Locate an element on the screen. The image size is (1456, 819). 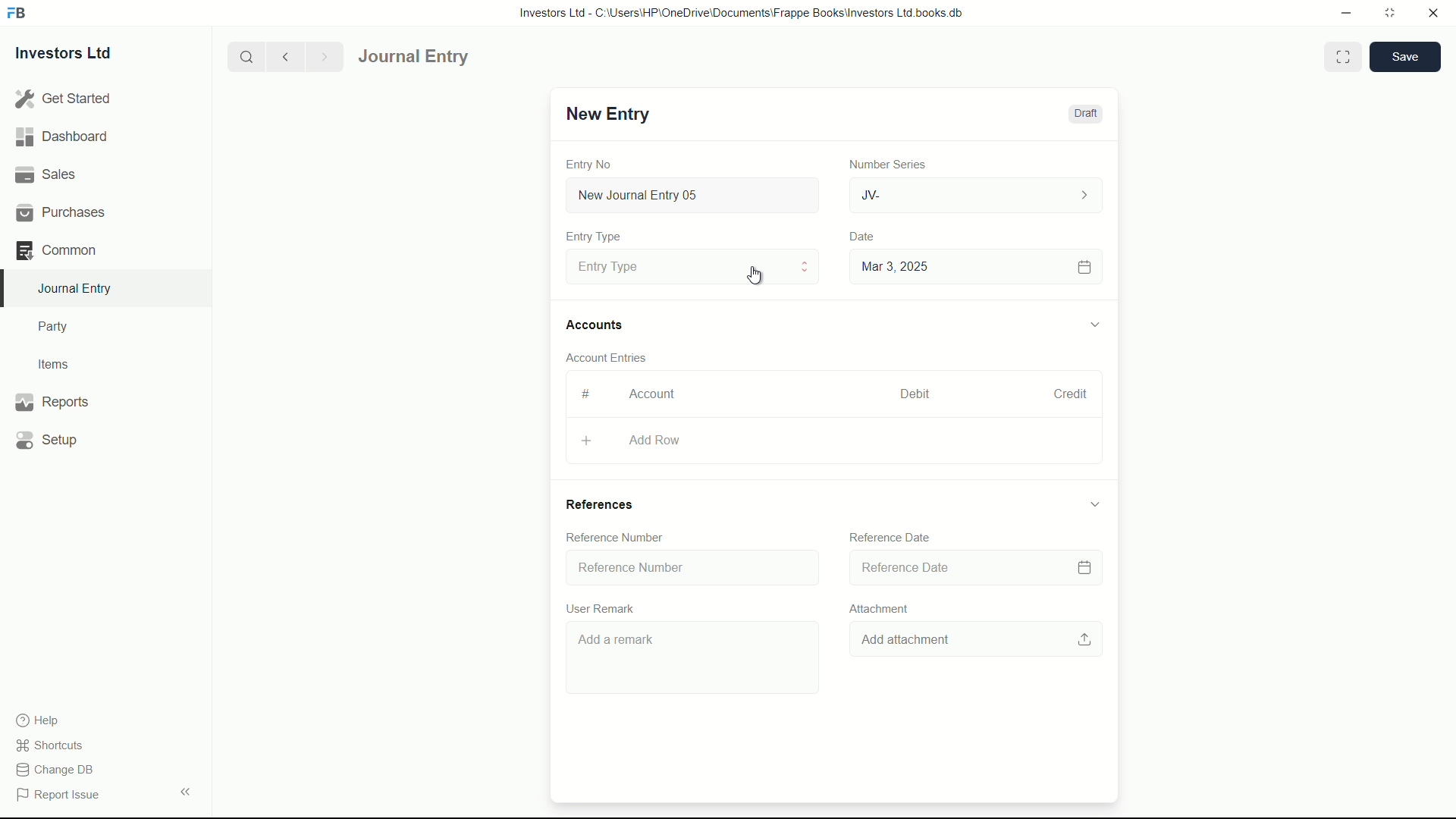
Date is located at coordinates (864, 237).